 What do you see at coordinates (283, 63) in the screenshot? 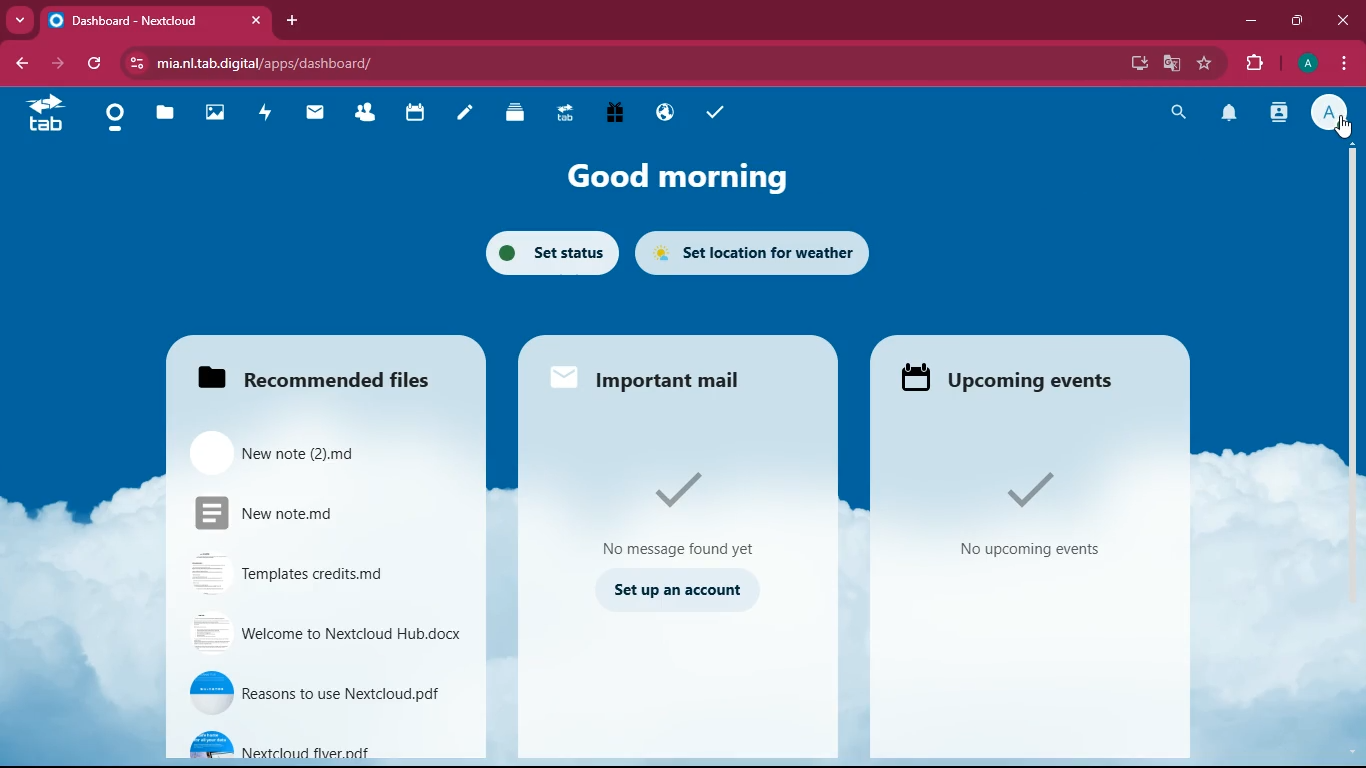
I see `mia.nl.tab.digital/apps/dashboard/` at bounding box center [283, 63].